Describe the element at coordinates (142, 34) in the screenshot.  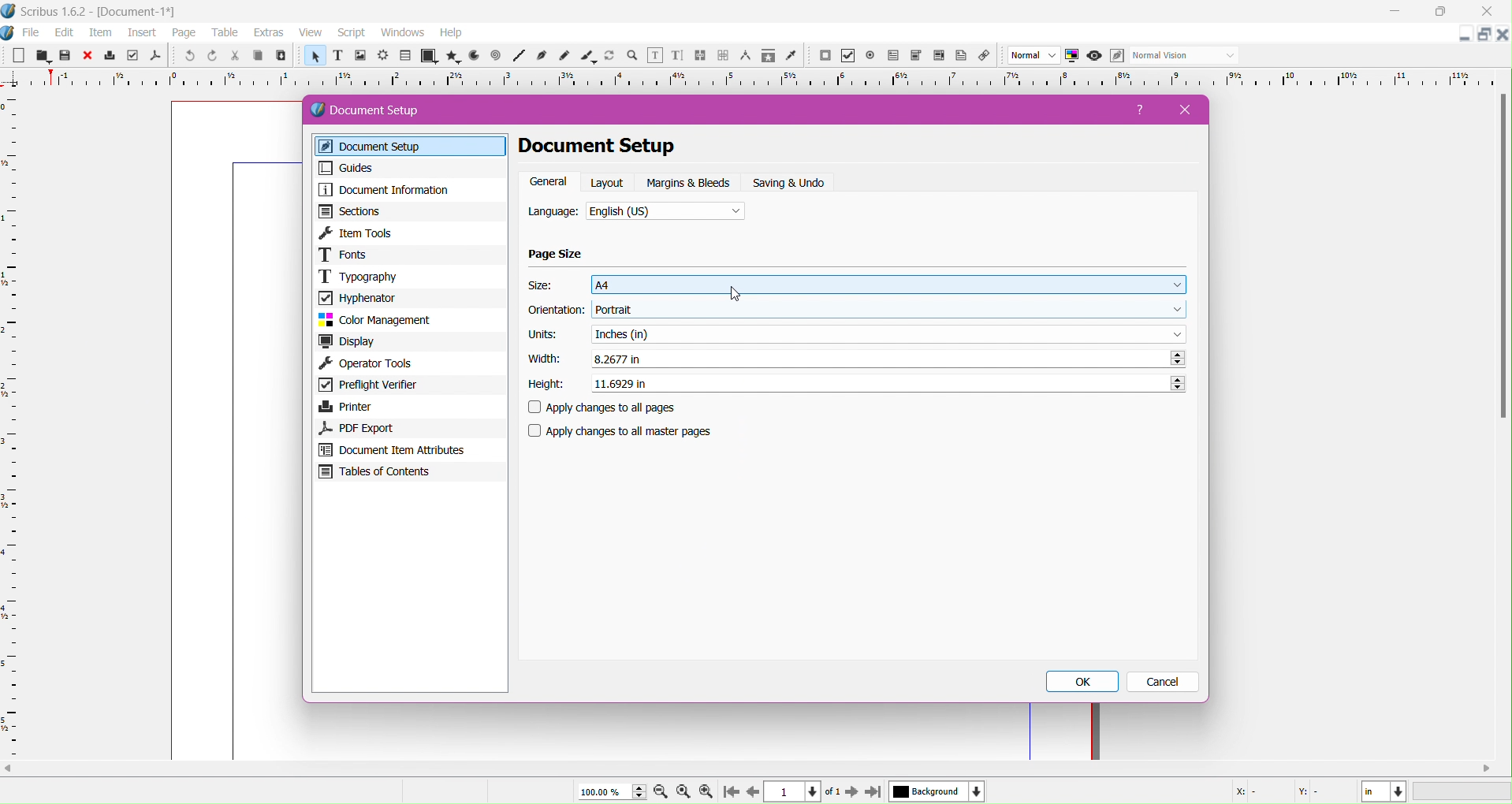
I see `insert menu` at that location.